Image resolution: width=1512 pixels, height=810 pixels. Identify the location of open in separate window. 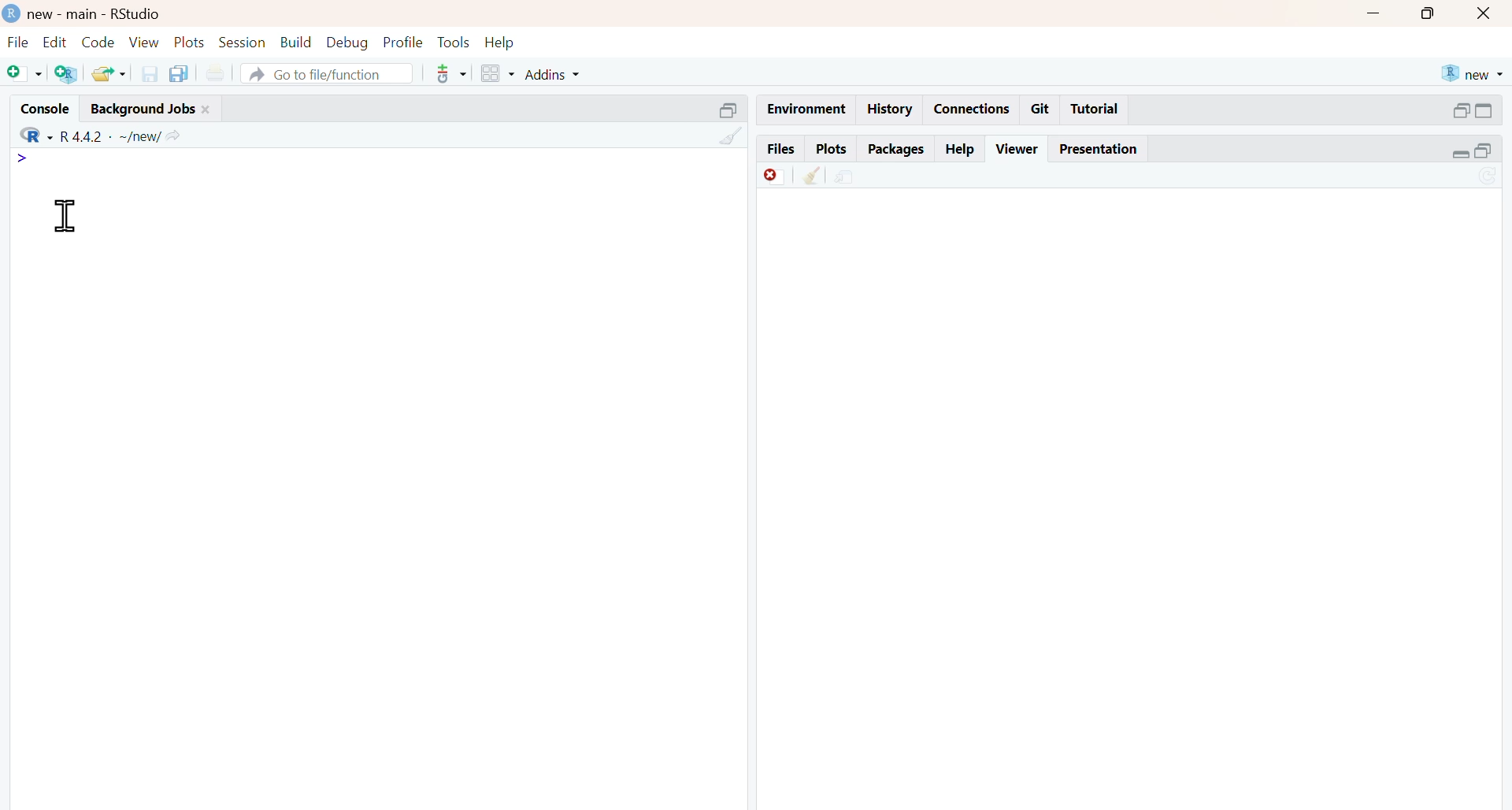
(1460, 110).